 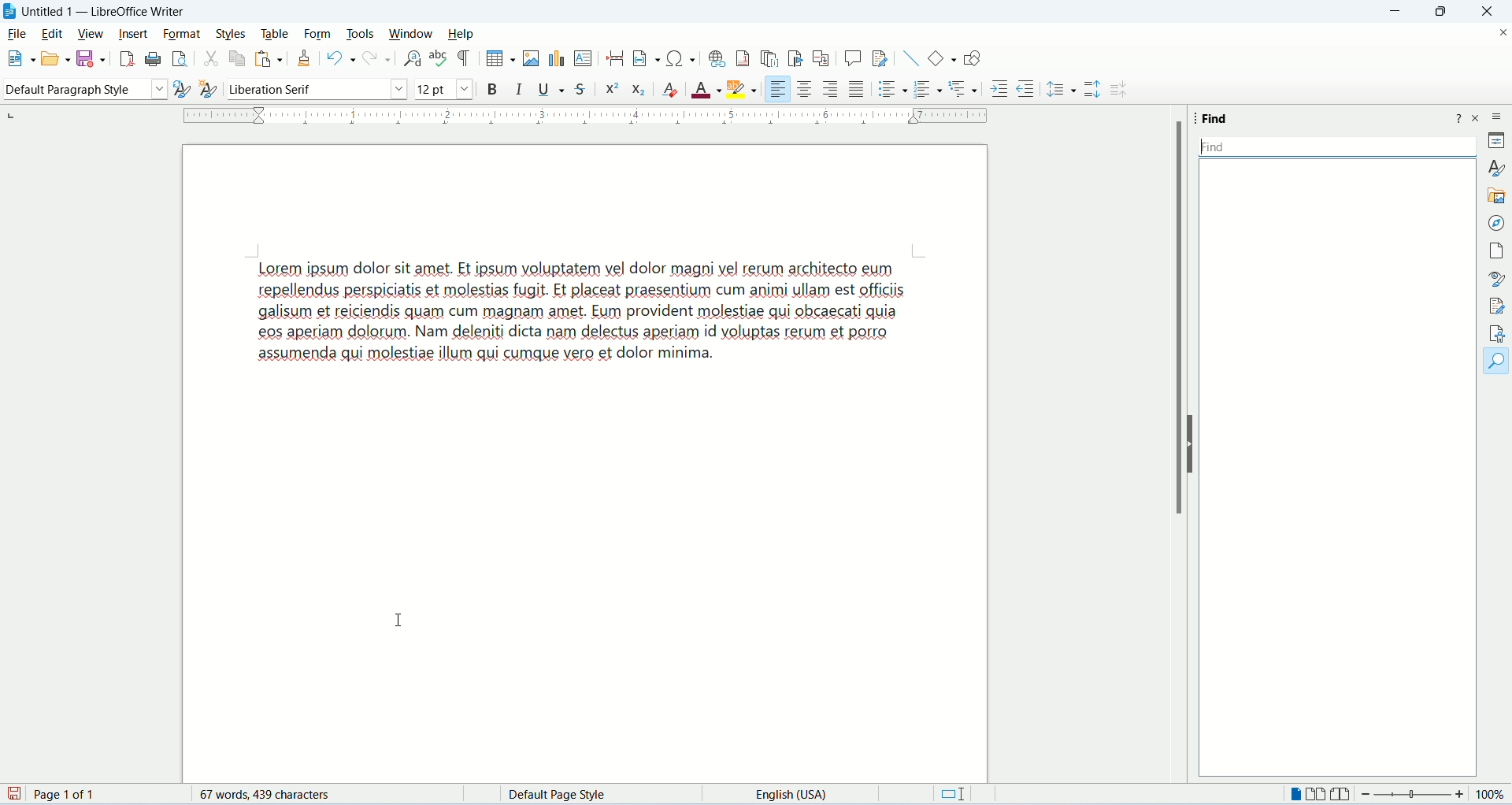 What do you see at coordinates (492, 58) in the screenshot?
I see `insert table` at bounding box center [492, 58].